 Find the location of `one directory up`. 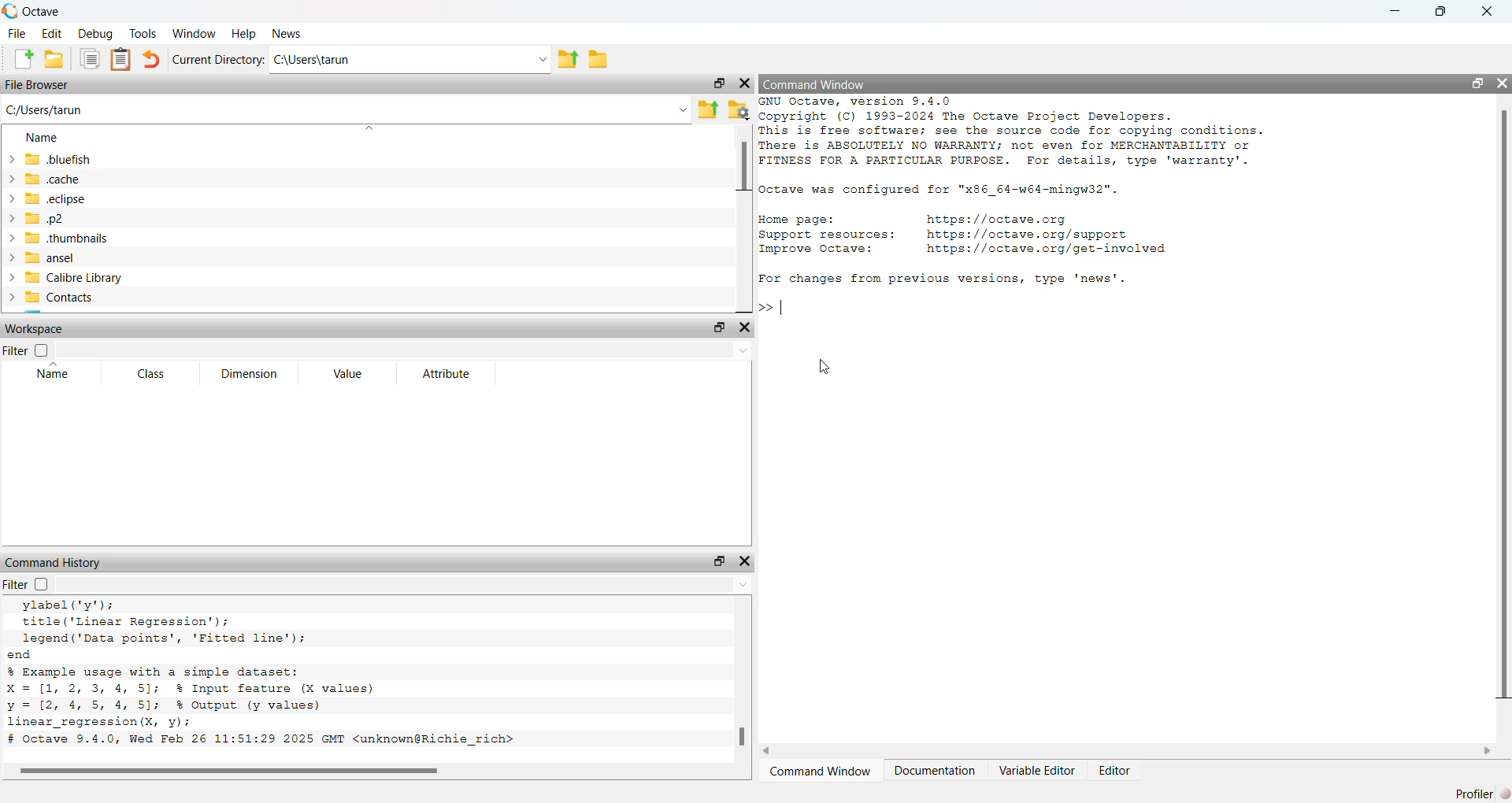

one directory up is located at coordinates (710, 109).